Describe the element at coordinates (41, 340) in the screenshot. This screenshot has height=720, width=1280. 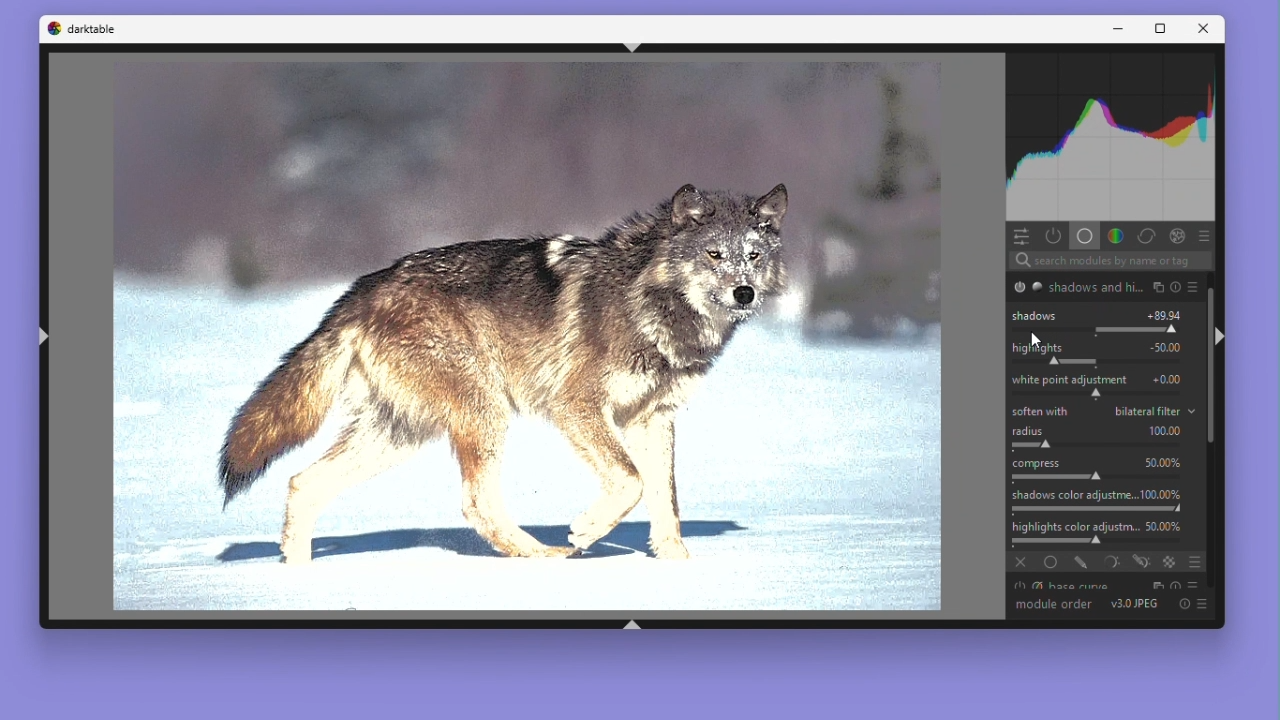
I see `shift+ctrl+l` at that location.